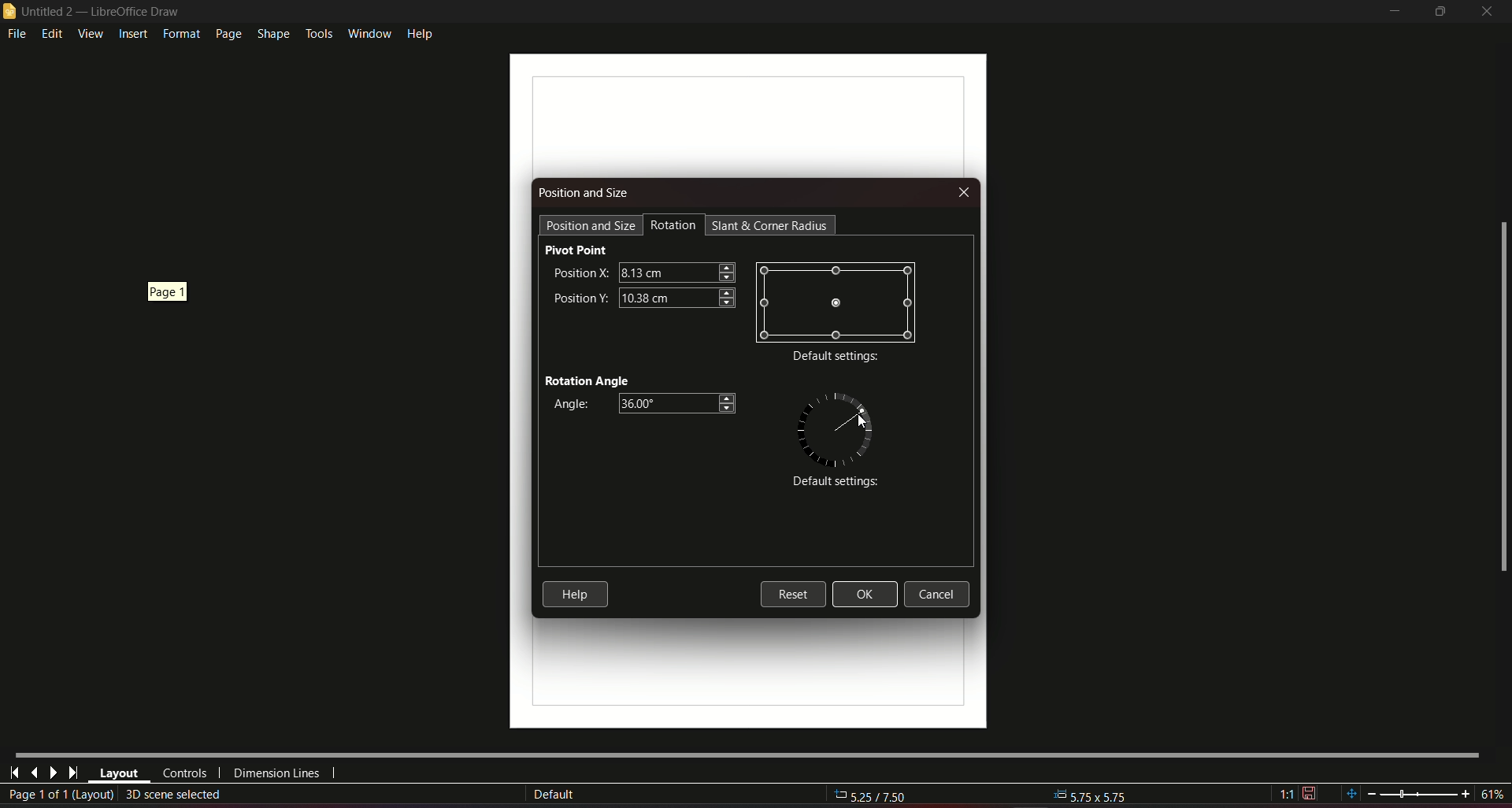  I want to click on Help, so click(575, 594).